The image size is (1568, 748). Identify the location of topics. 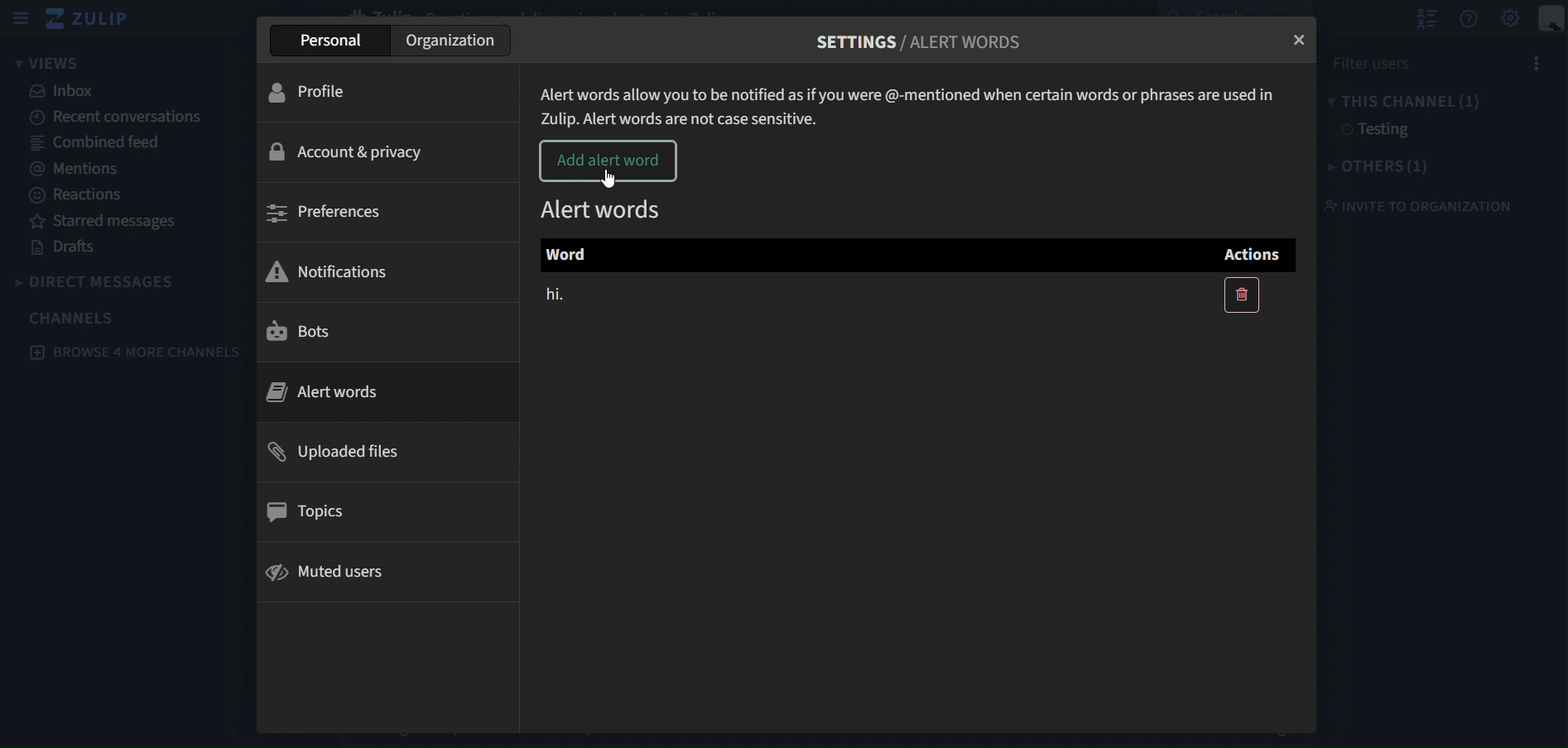
(310, 509).